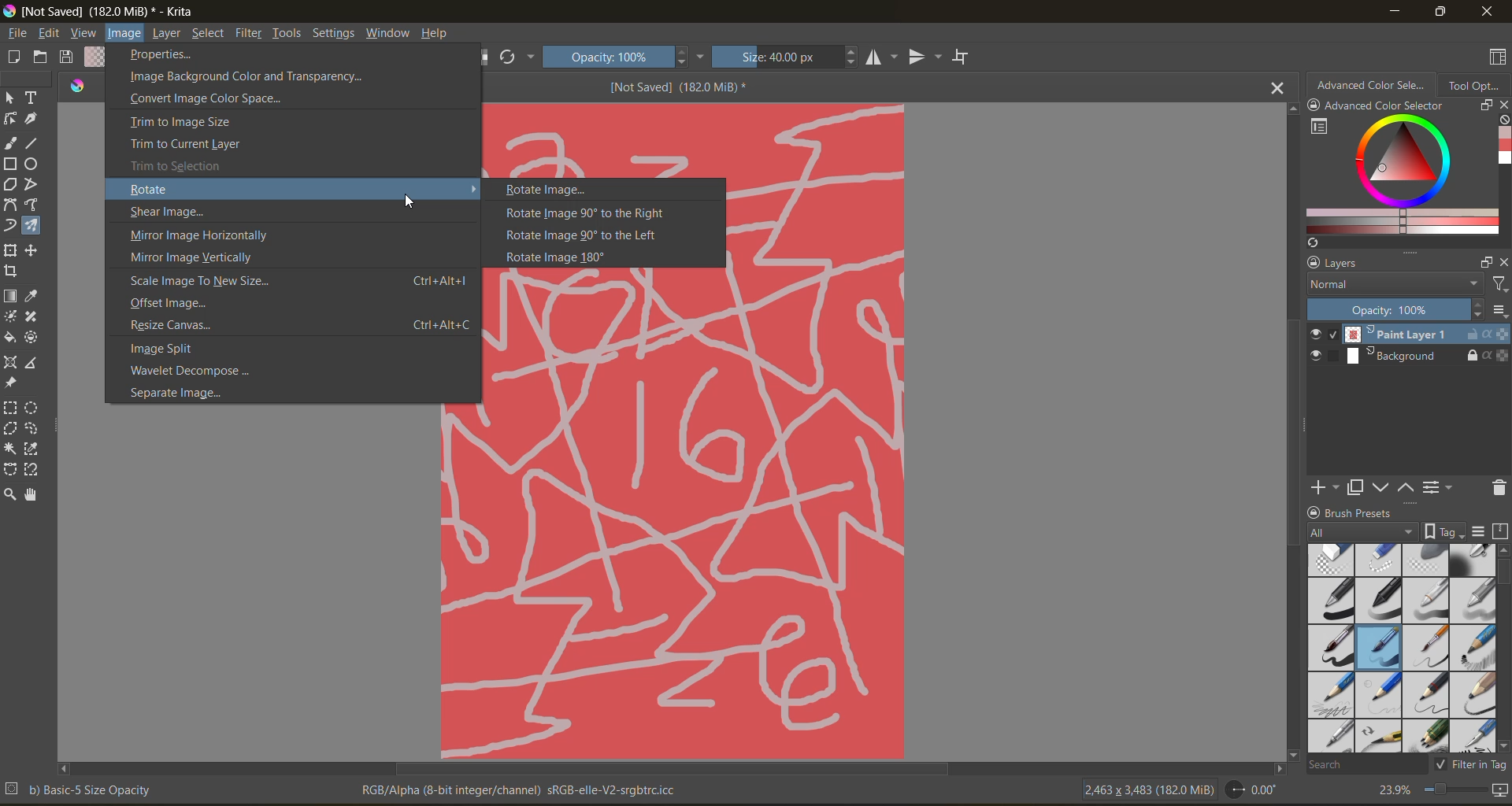 The width and height of the screenshot is (1512, 806). I want to click on minimize, so click(1395, 10).